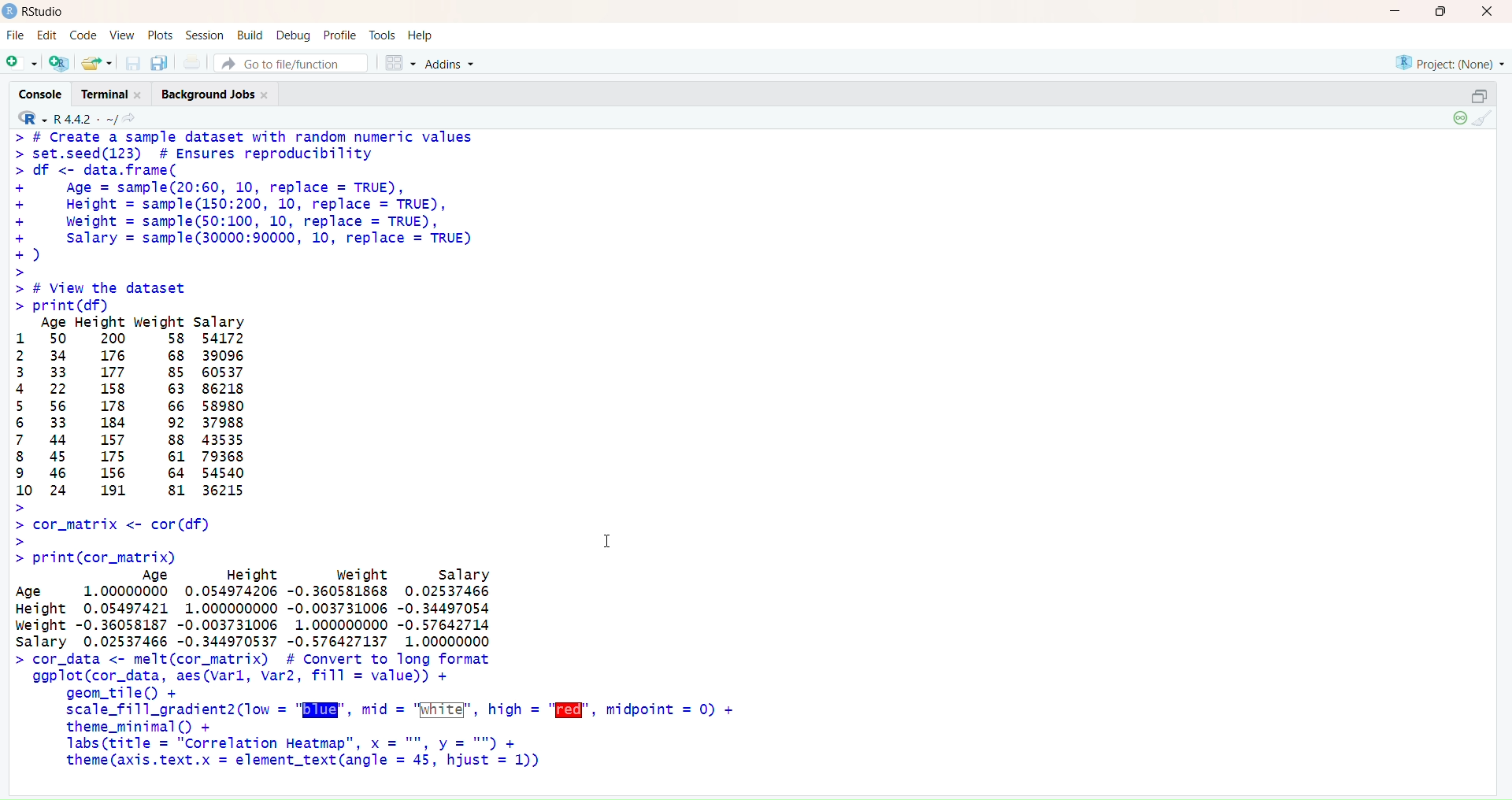 The height and width of the screenshot is (800, 1512). What do you see at coordinates (1452, 65) in the screenshot?
I see `Project (None)` at bounding box center [1452, 65].